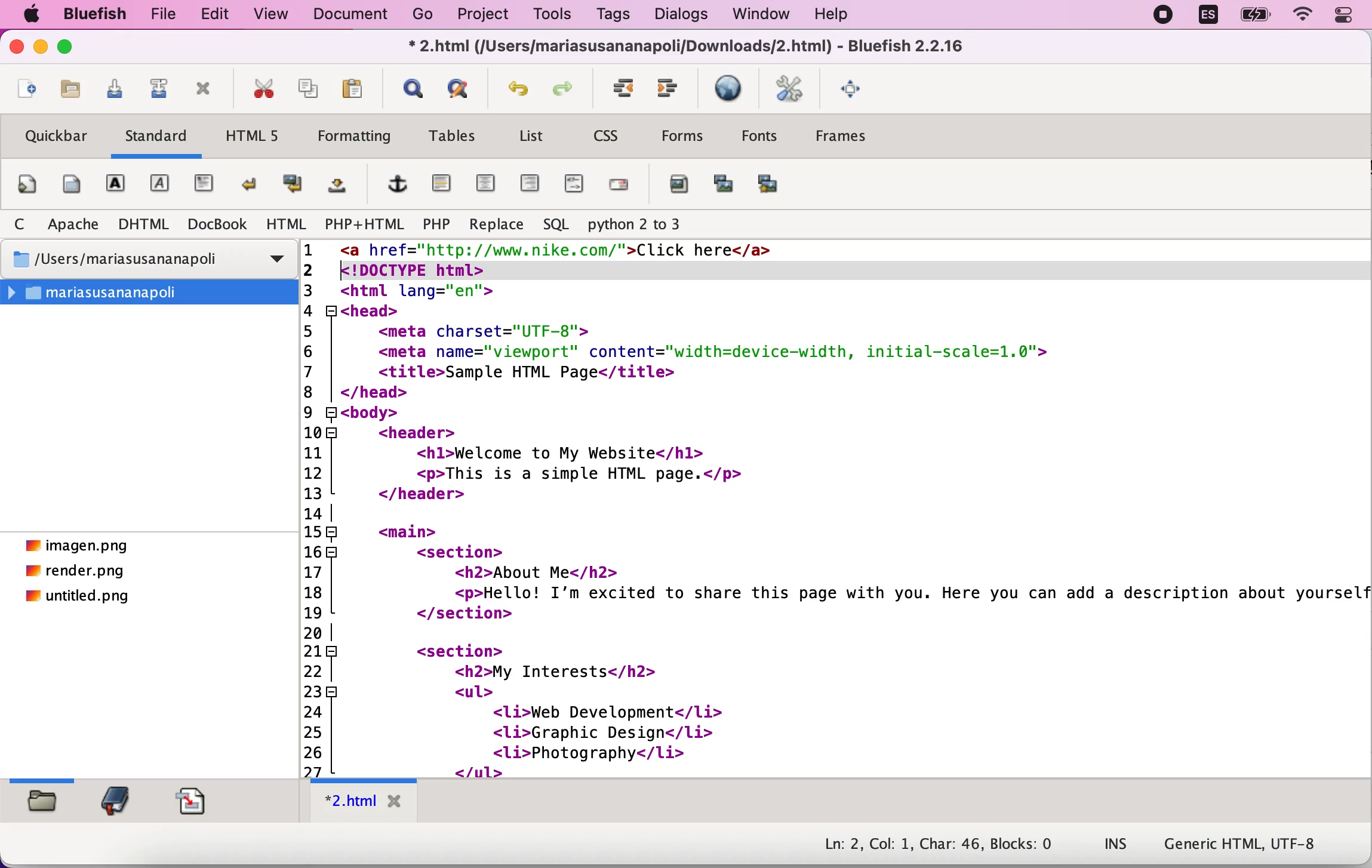 This screenshot has width=1372, height=868. I want to click on untitled.png, so click(80, 599).